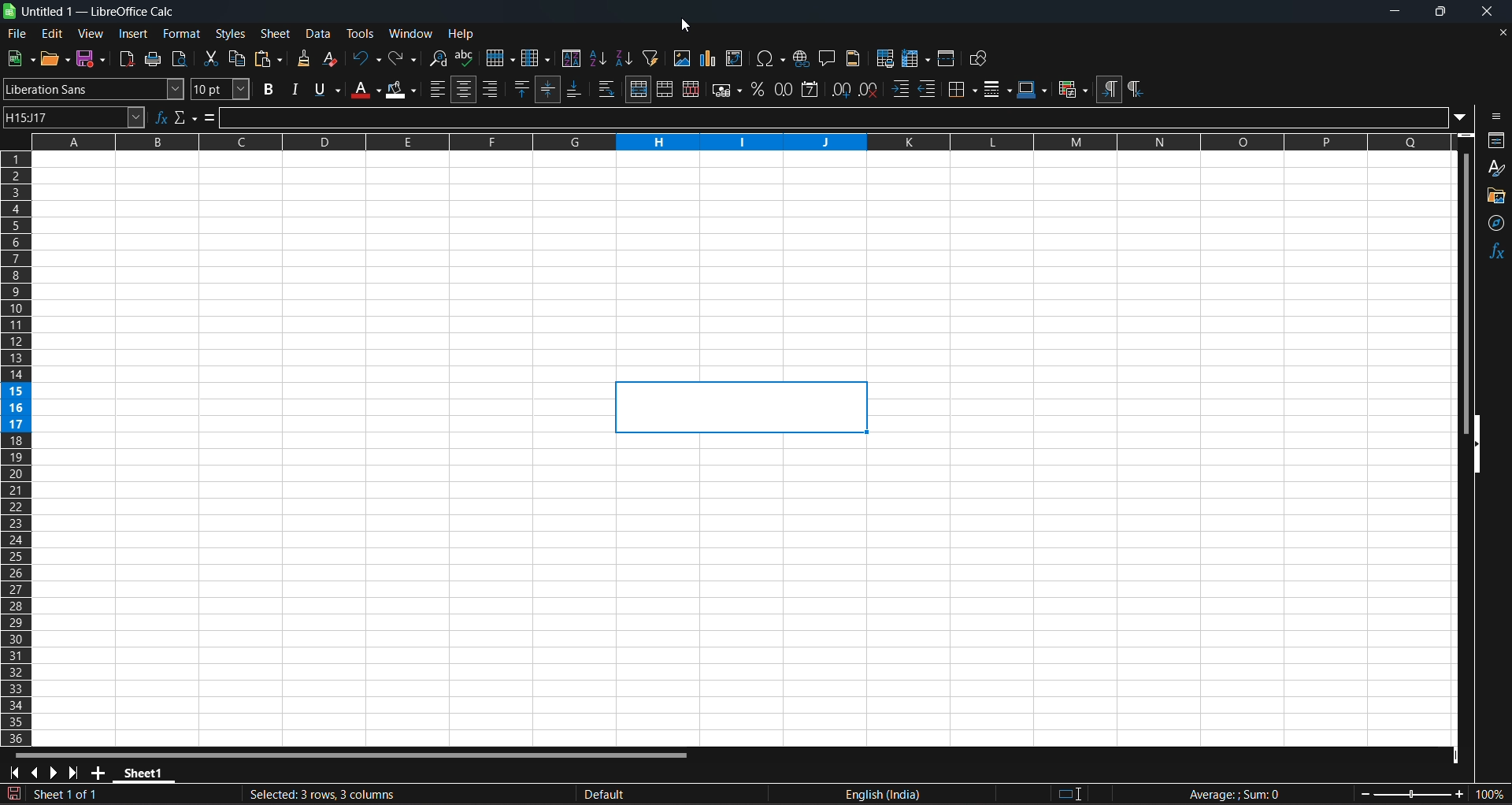 This screenshot has width=1512, height=805. Describe the element at coordinates (1255, 793) in the screenshot. I see `formula` at that location.